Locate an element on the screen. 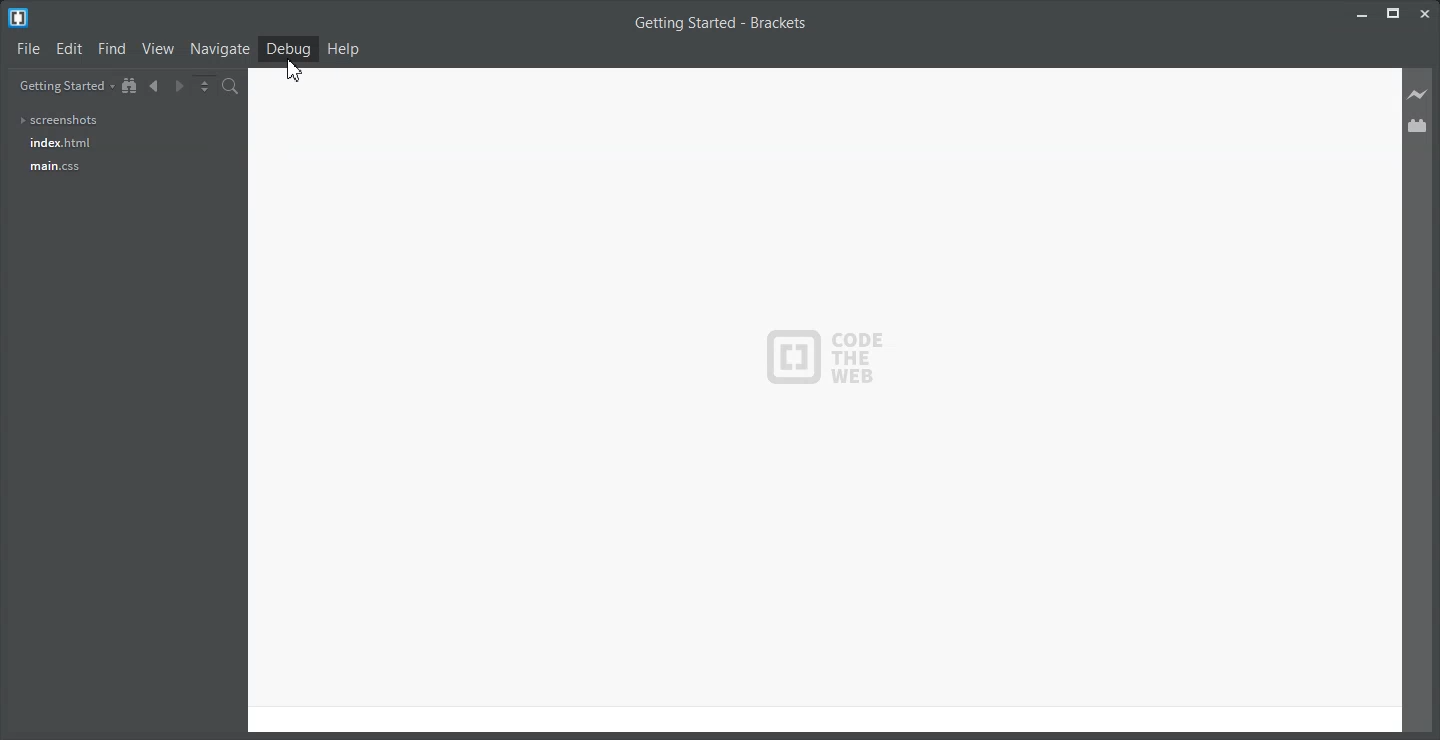 The height and width of the screenshot is (740, 1440). Live Preview is located at coordinates (1418, 93).